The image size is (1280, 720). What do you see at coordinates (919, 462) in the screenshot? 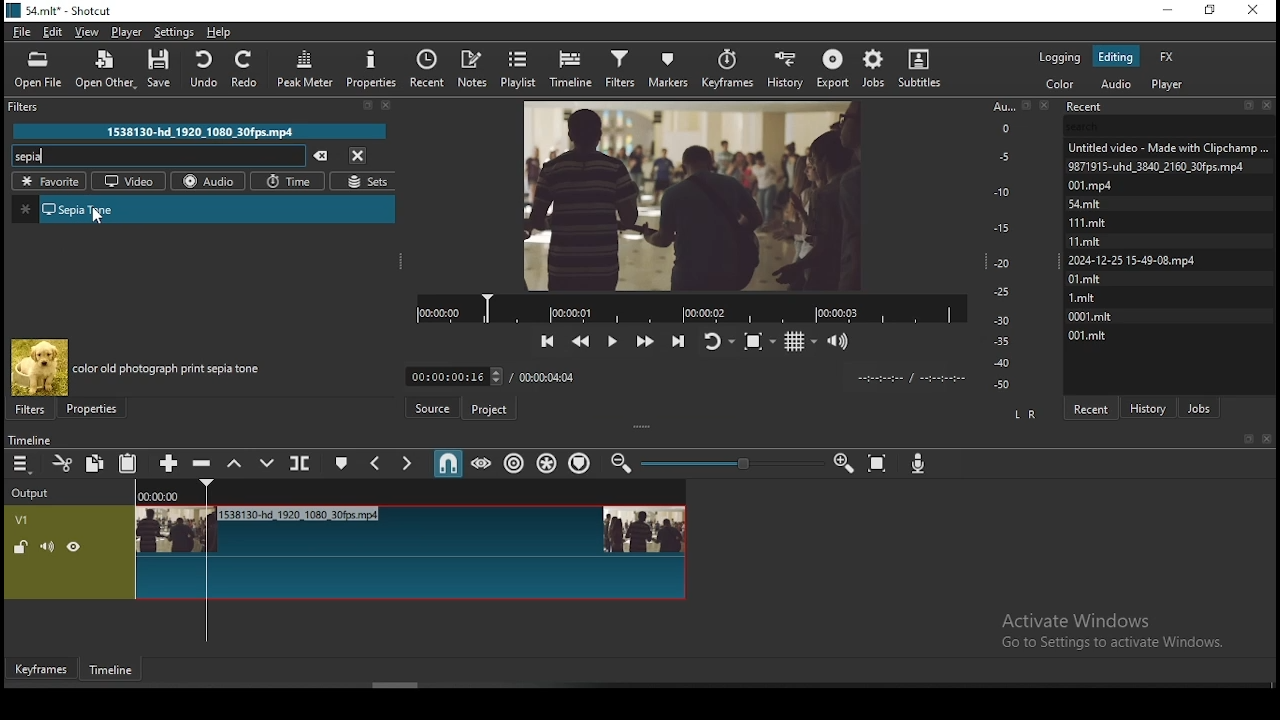
I see `record audio` at bounding box center [919, 462].